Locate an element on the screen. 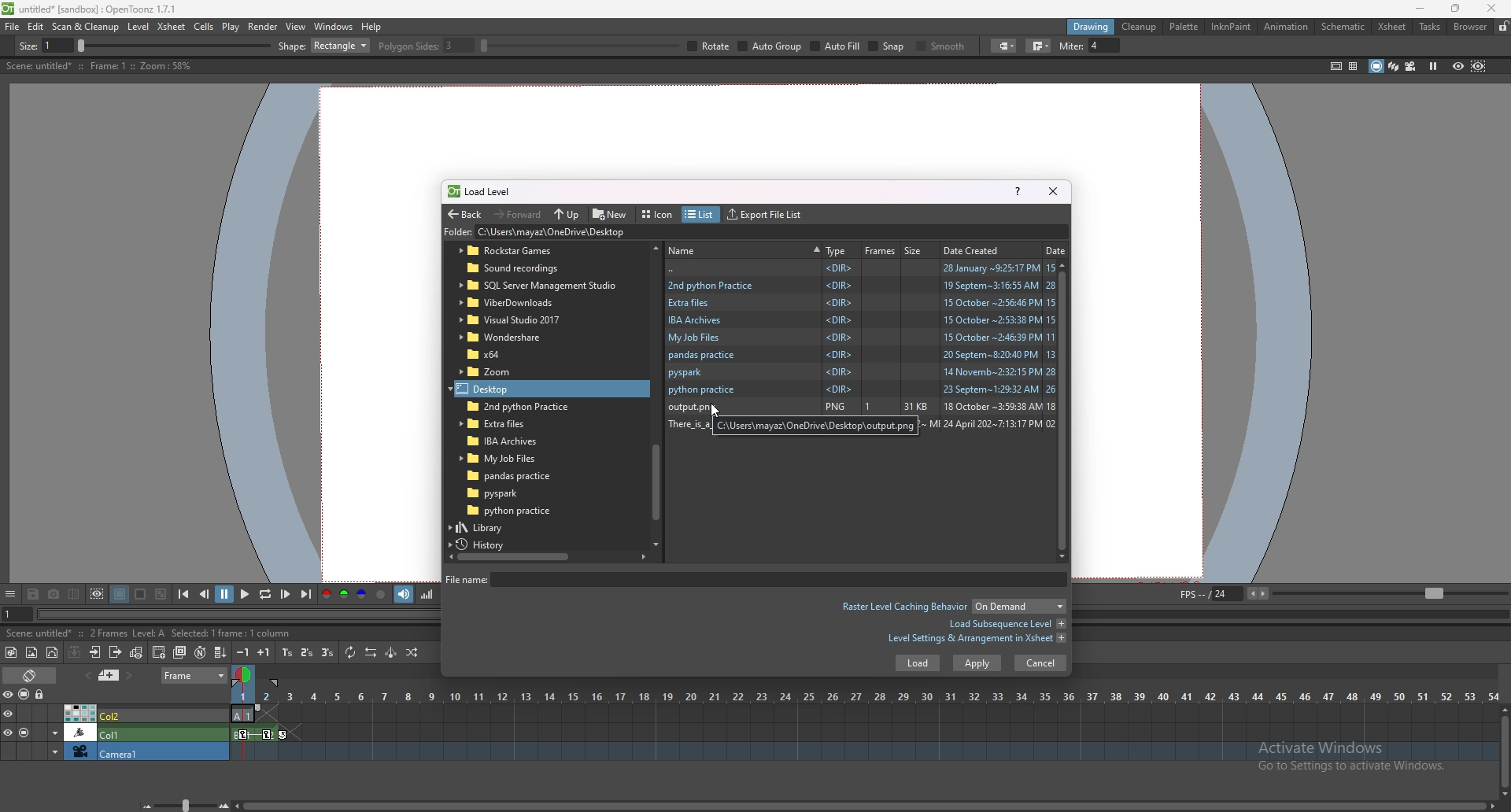 The width and height of the screenshot is (1511, 812). cleanup is located at coordinates (1139, 27).